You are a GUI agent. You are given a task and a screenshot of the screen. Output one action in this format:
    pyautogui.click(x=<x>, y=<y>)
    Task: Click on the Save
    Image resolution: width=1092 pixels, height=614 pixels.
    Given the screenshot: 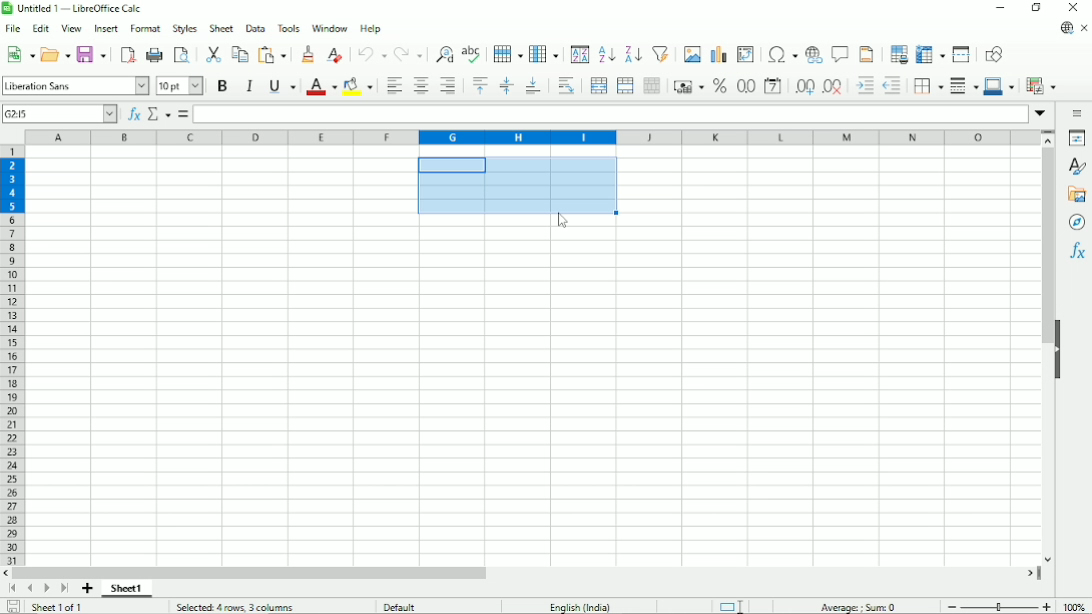 What is the action you would take?
    pyautogui.click(x=12, y=606)
    